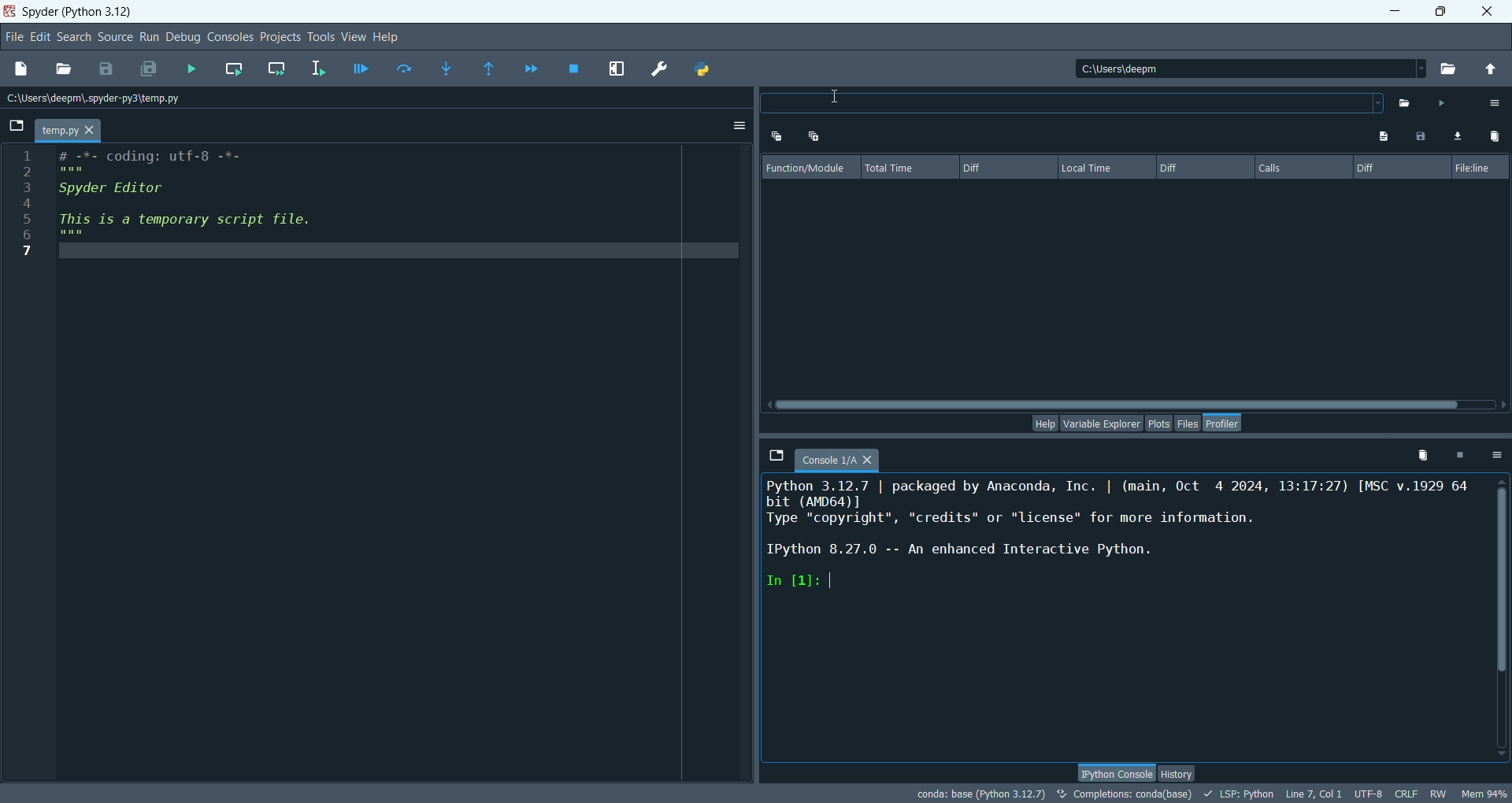 This screenshot has height=803, width=1512. I want to click on LSP: python, so click(1239, 794).